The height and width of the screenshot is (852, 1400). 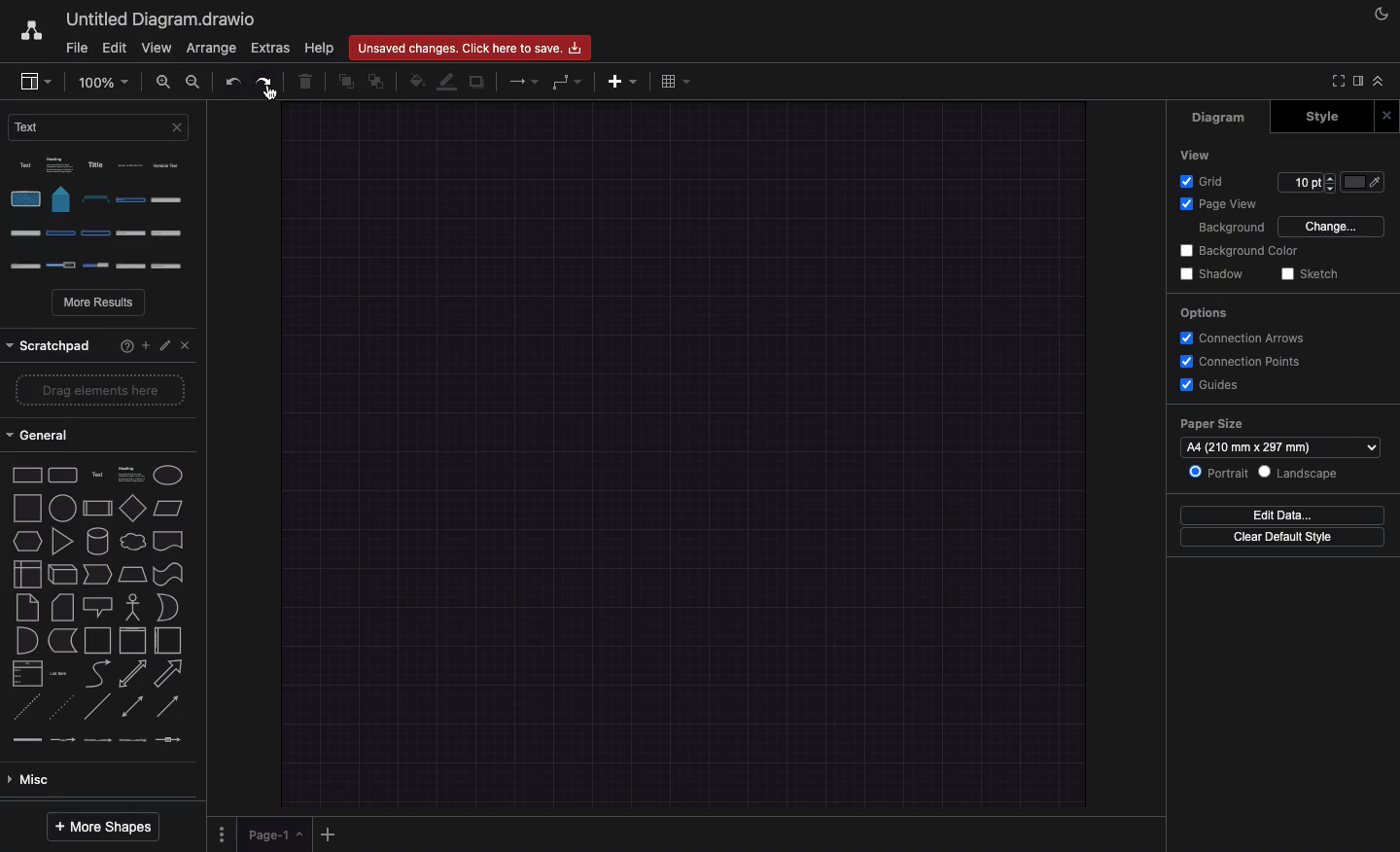 I want to click on More shapes, so click(x=101, y=827).